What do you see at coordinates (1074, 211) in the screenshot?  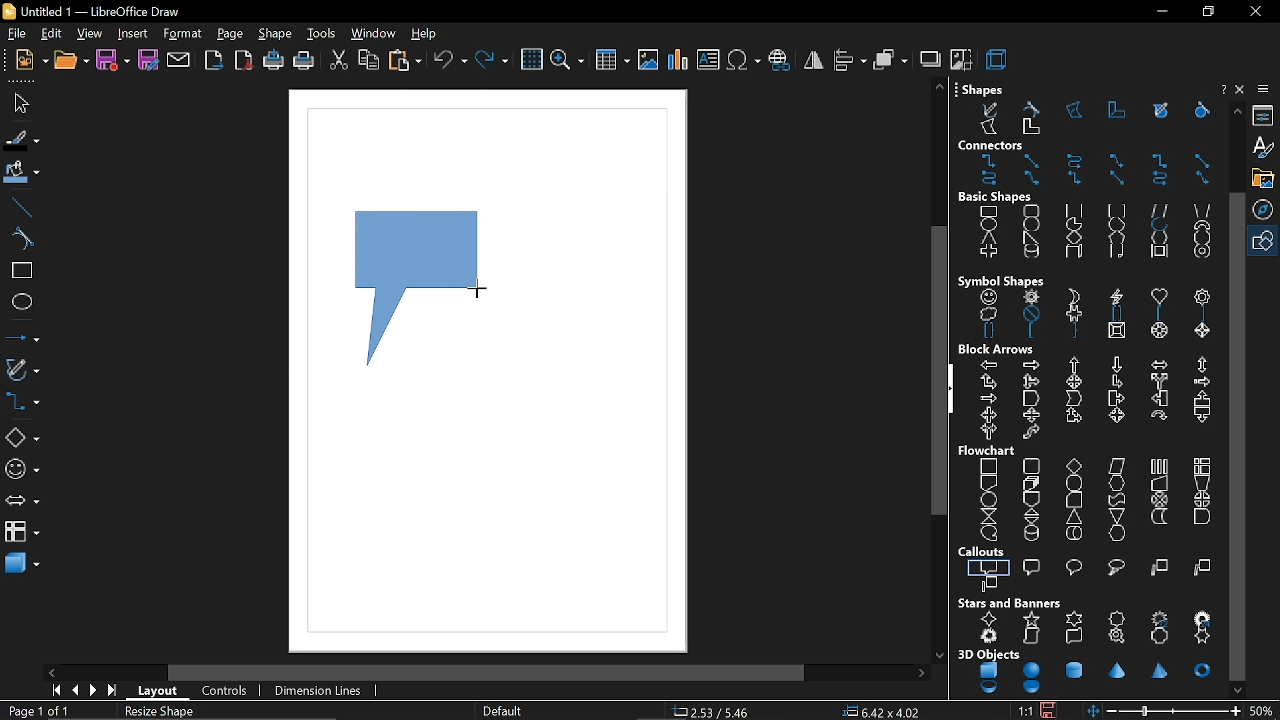 I see `square` at bounding box center [1074, 211].